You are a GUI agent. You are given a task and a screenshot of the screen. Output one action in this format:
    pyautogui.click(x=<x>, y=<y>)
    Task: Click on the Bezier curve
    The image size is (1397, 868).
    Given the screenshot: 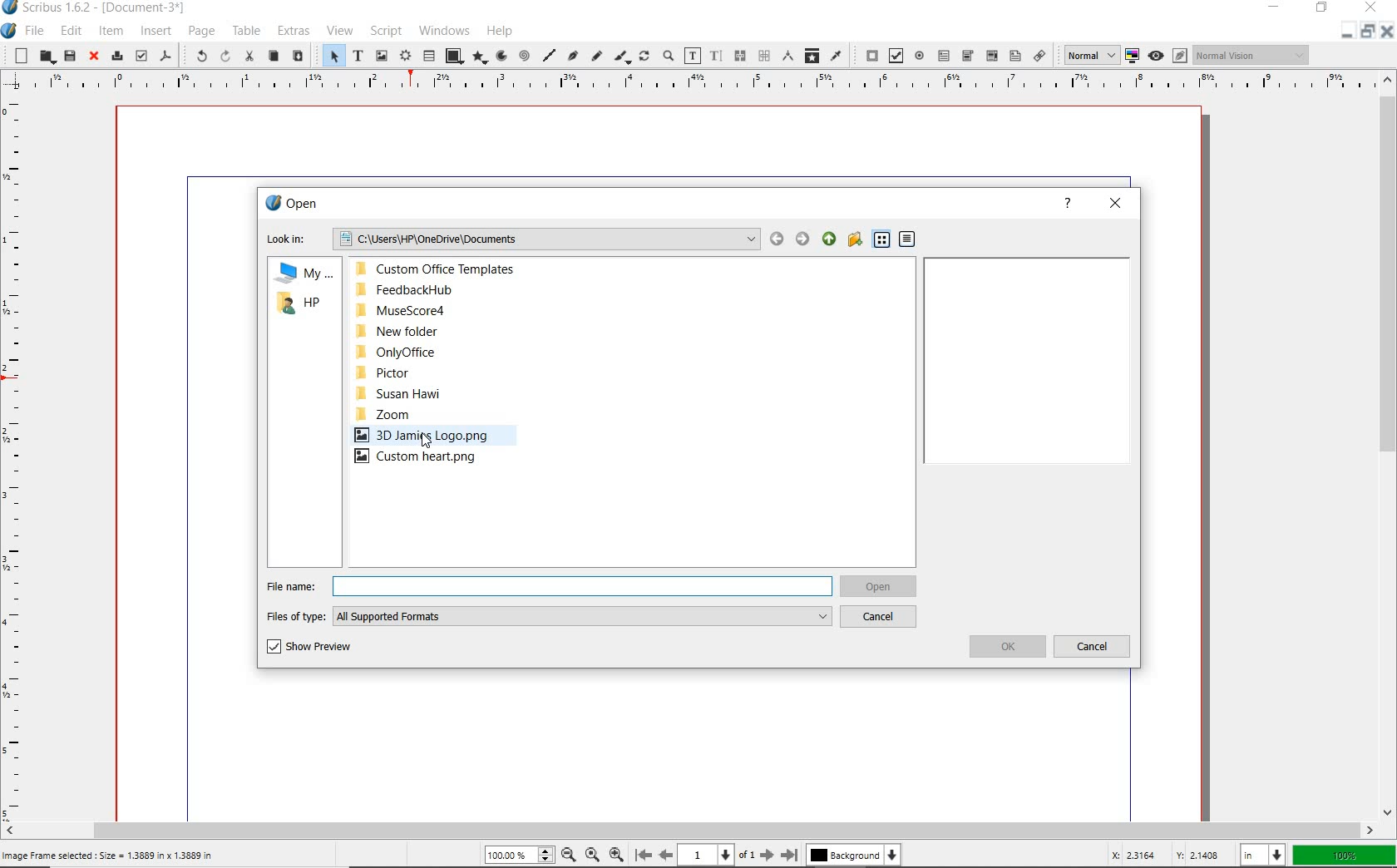 What is the action you would take?
    pyautogui.click(x=572, y=55)
    